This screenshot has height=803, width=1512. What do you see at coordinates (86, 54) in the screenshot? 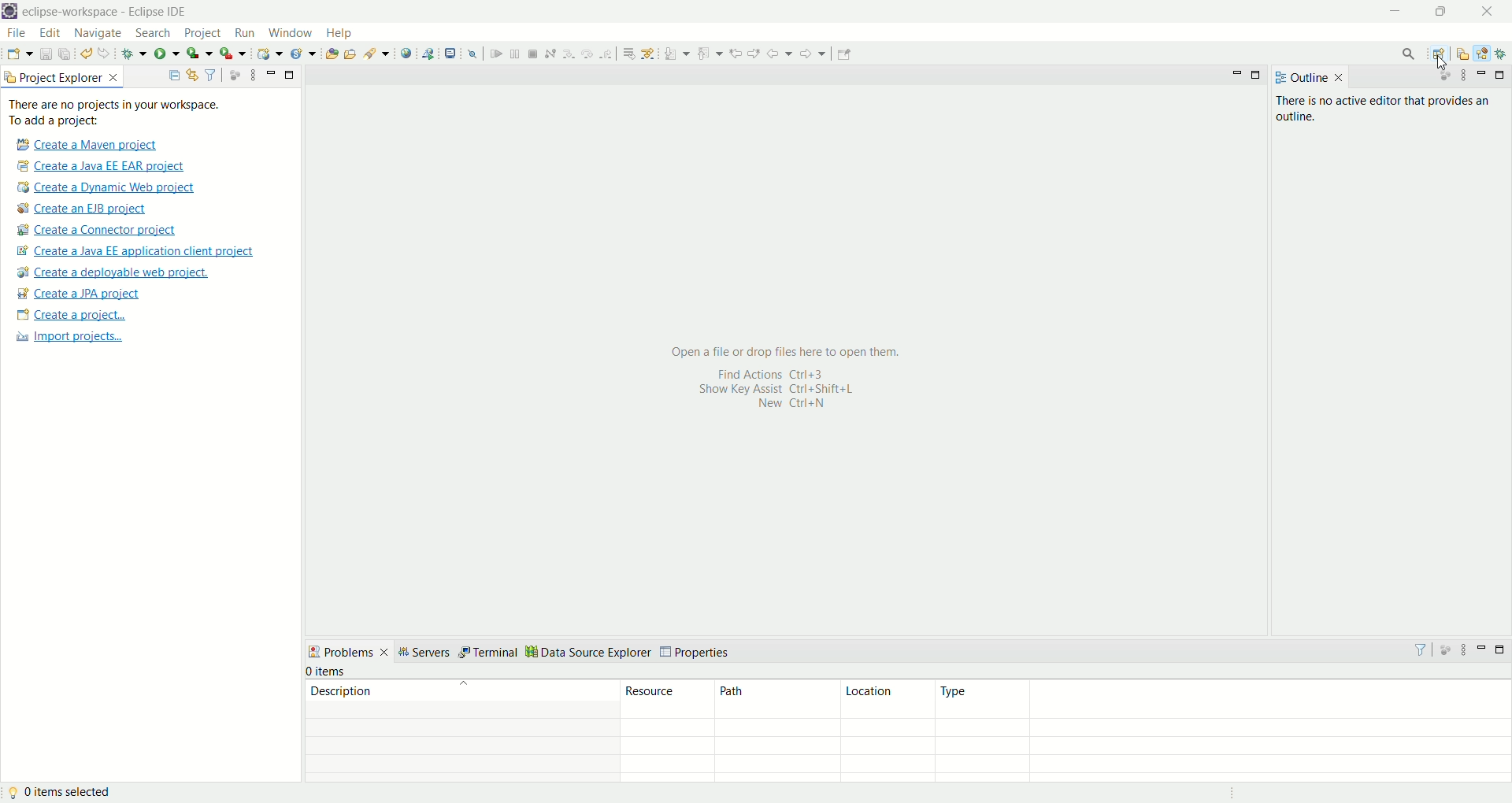
I see `undo` at bounding box center [86, 54].